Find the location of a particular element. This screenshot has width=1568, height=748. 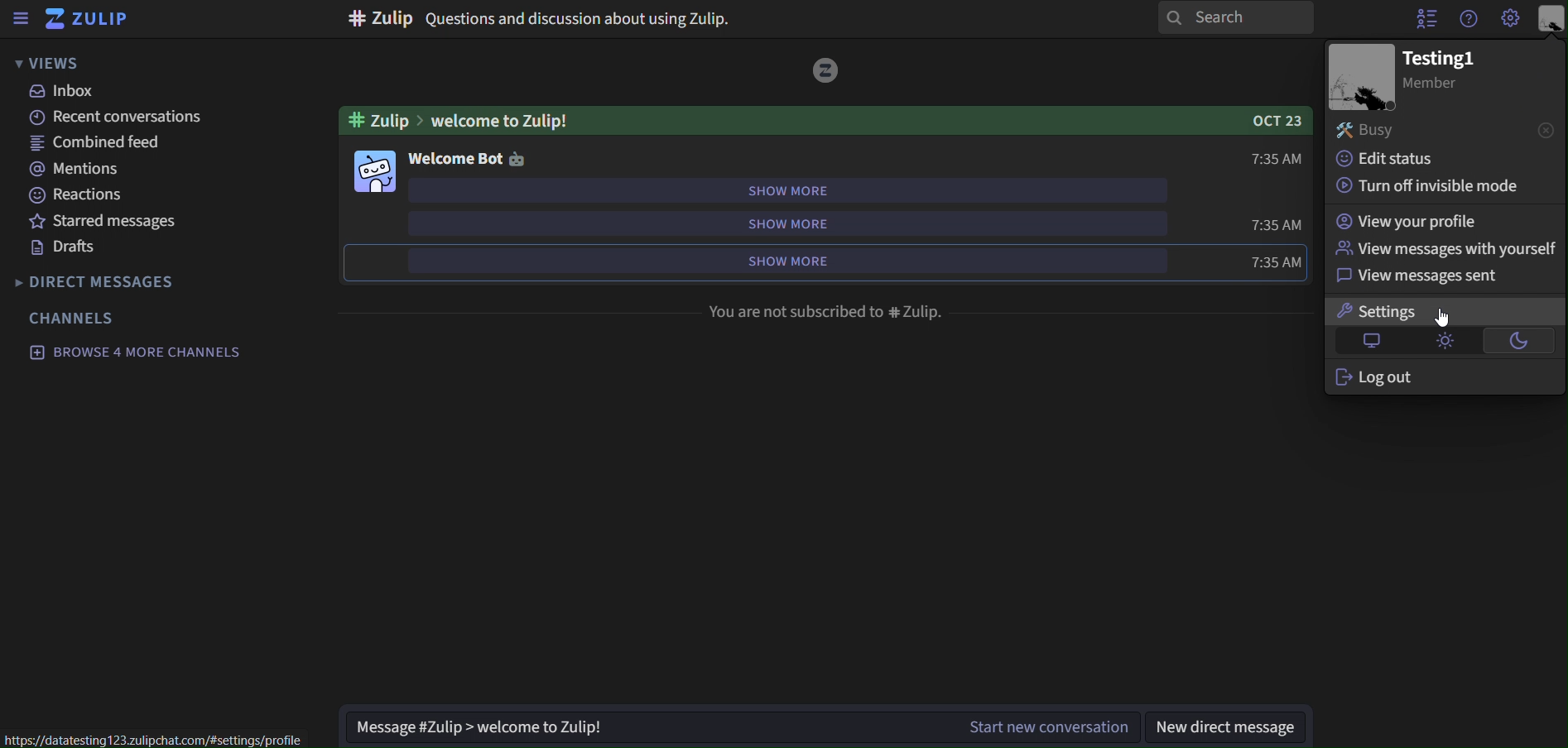

dark theme is located at coordinates (1527, 342).